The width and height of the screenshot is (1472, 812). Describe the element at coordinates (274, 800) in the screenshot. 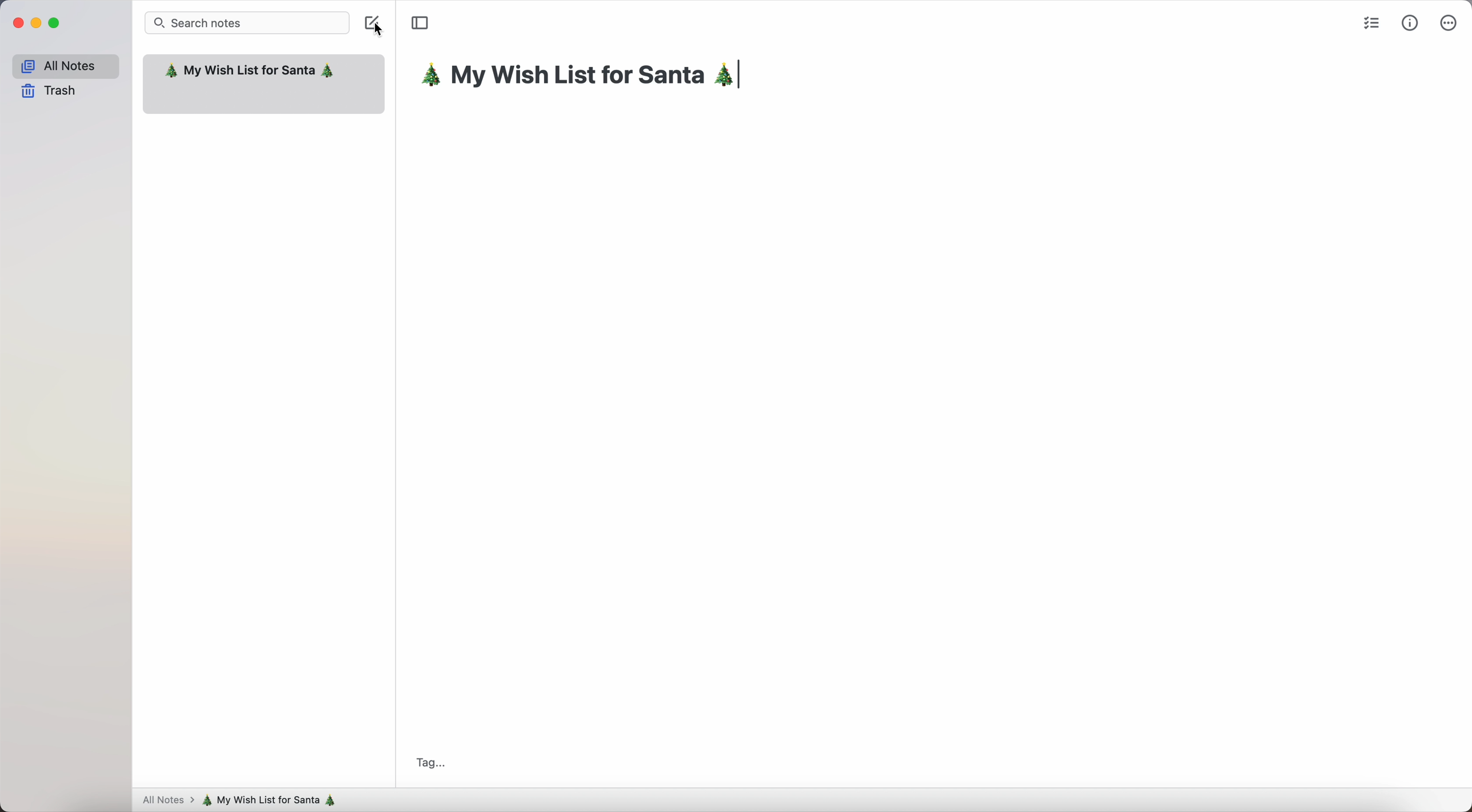

I see `my wish list for Santa` at that location.